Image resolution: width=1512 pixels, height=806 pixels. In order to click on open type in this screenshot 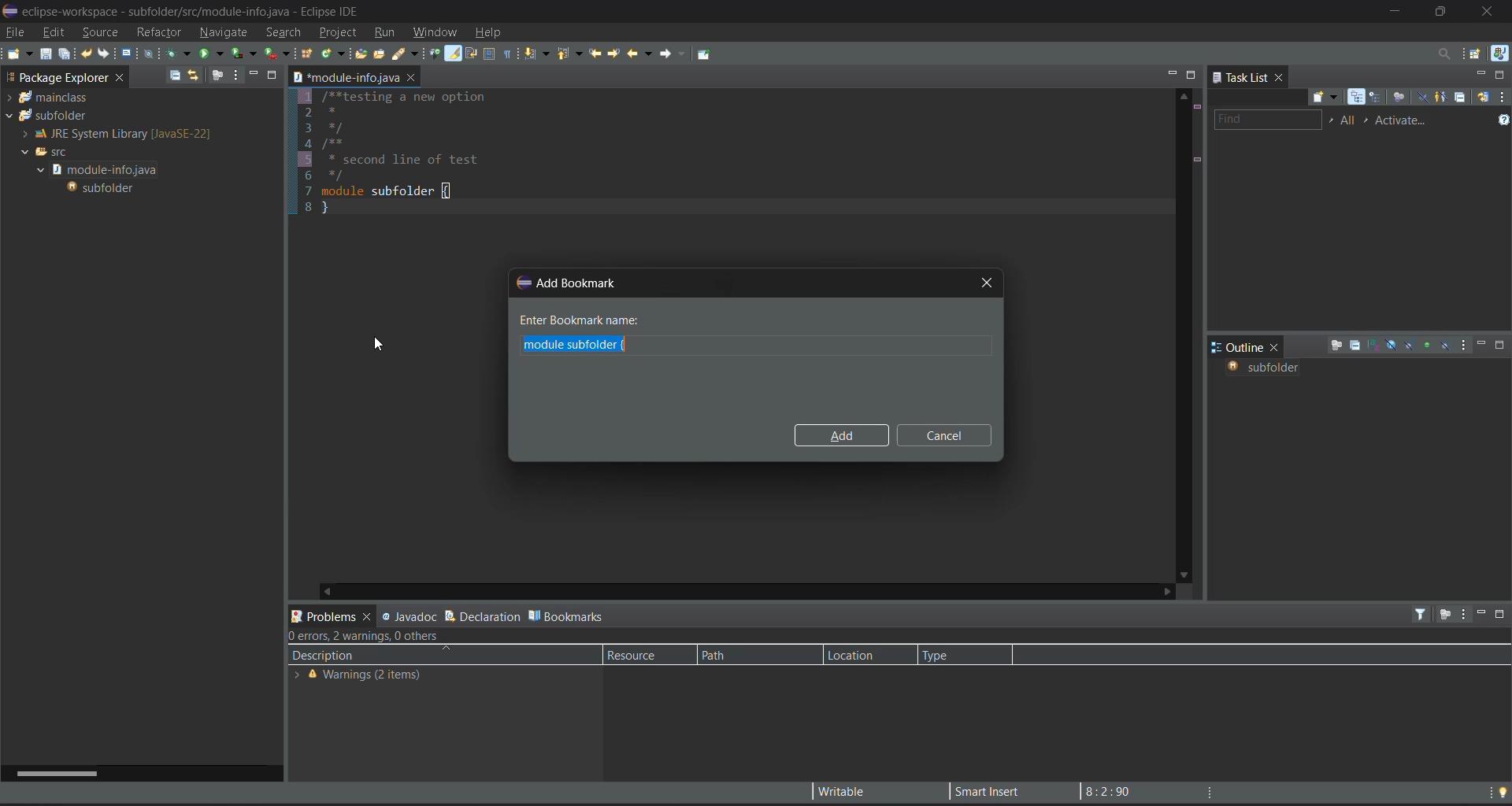, I will do `click(359, 54)`.